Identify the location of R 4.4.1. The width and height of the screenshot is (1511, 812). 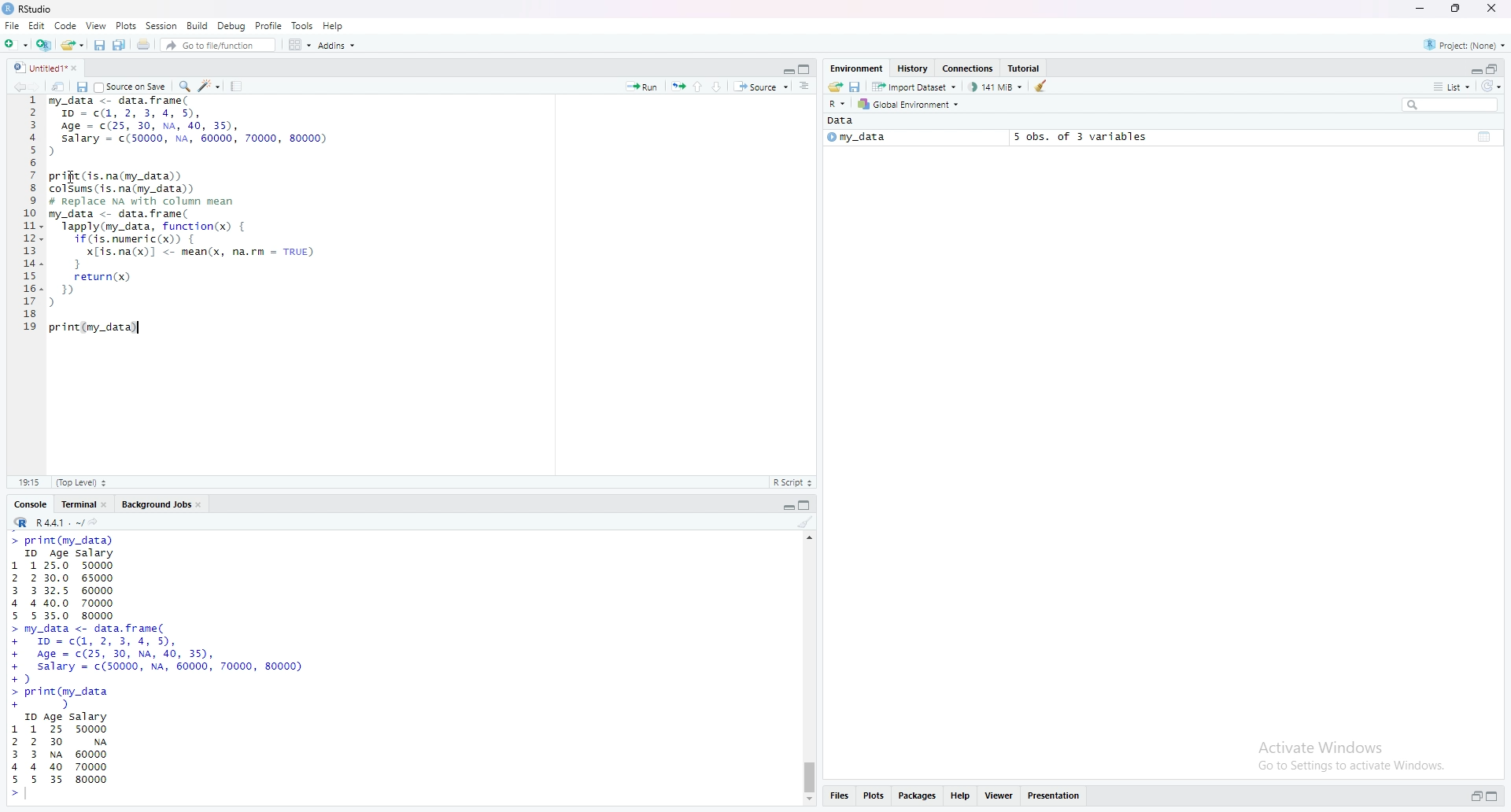
(48, 523).